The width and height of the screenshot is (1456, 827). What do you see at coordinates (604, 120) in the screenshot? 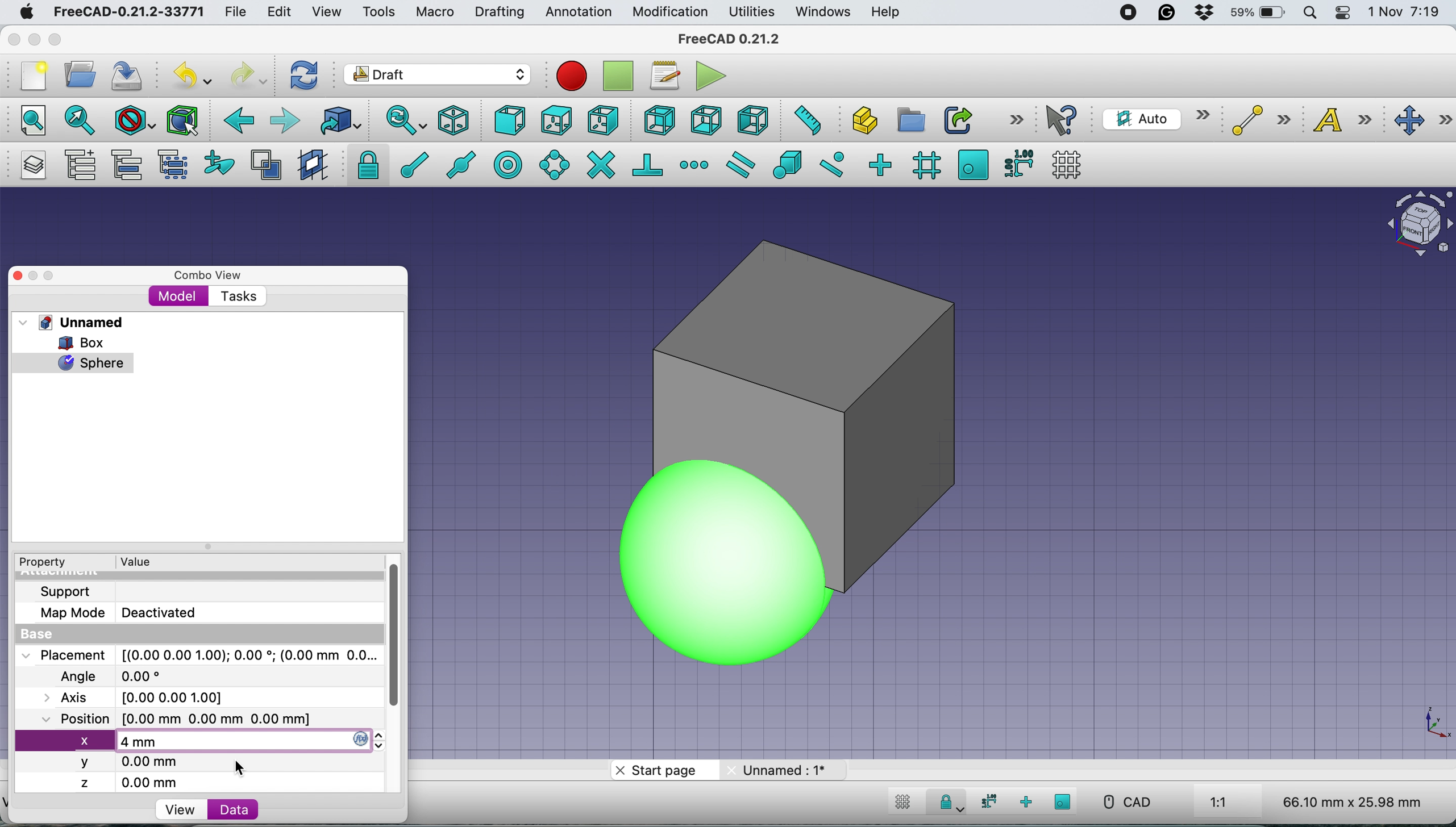
I see `right` at bounding box center [604, 120].